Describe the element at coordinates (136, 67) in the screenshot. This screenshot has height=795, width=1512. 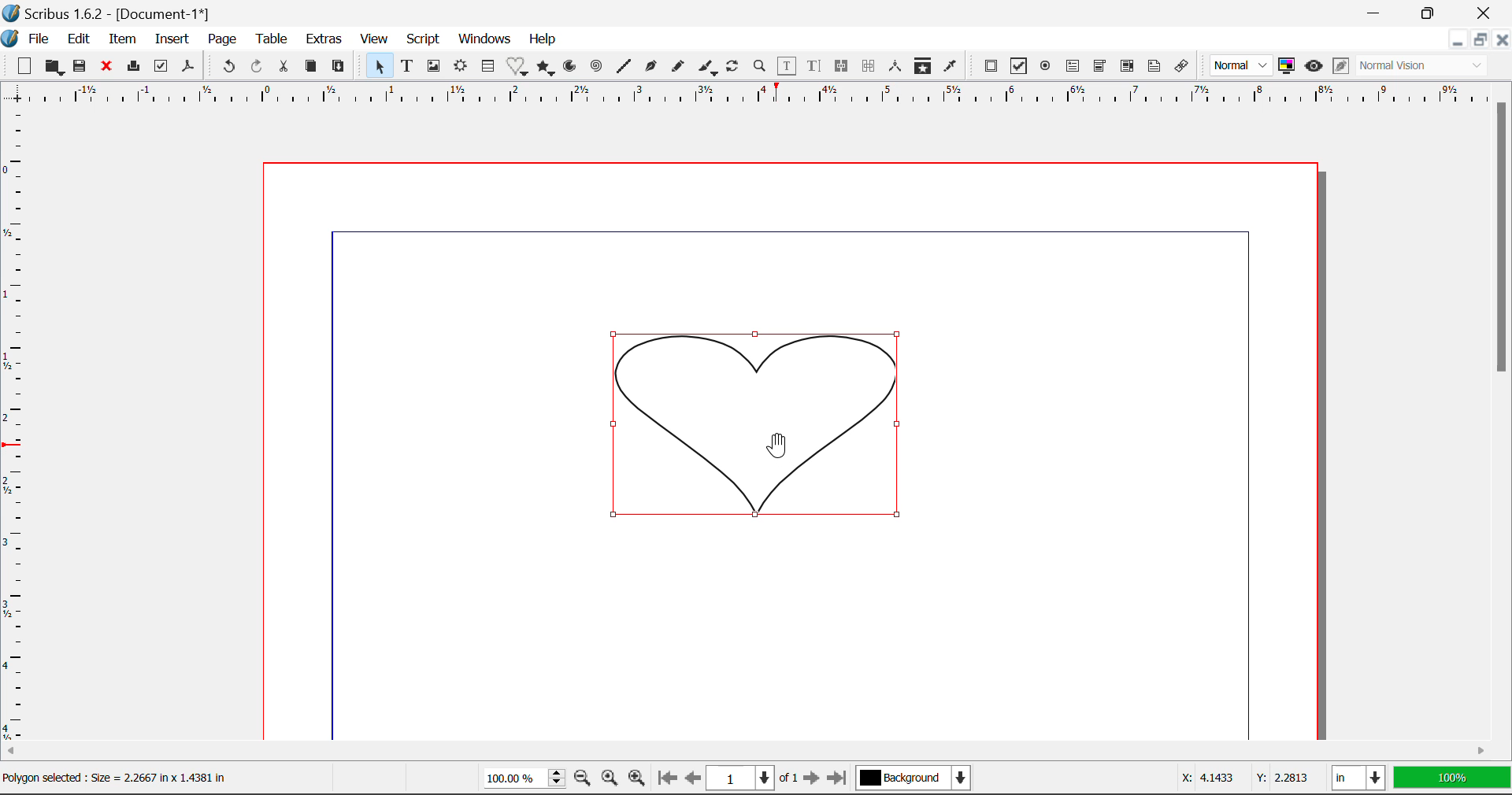
I see `Print` at that location.